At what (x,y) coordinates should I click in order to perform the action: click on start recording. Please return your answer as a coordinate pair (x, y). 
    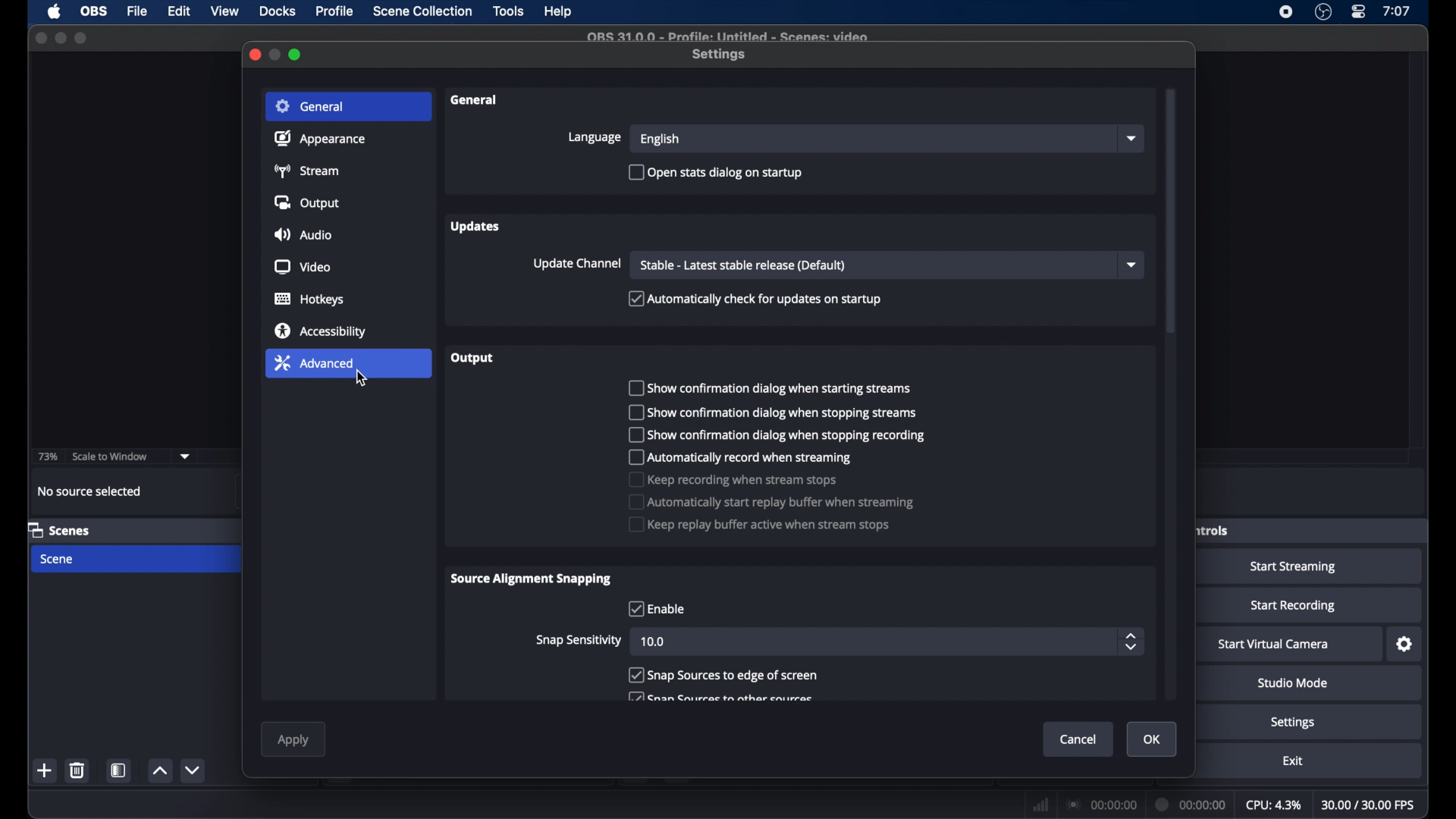
    Looking at the image, I should click on (1294, 606).